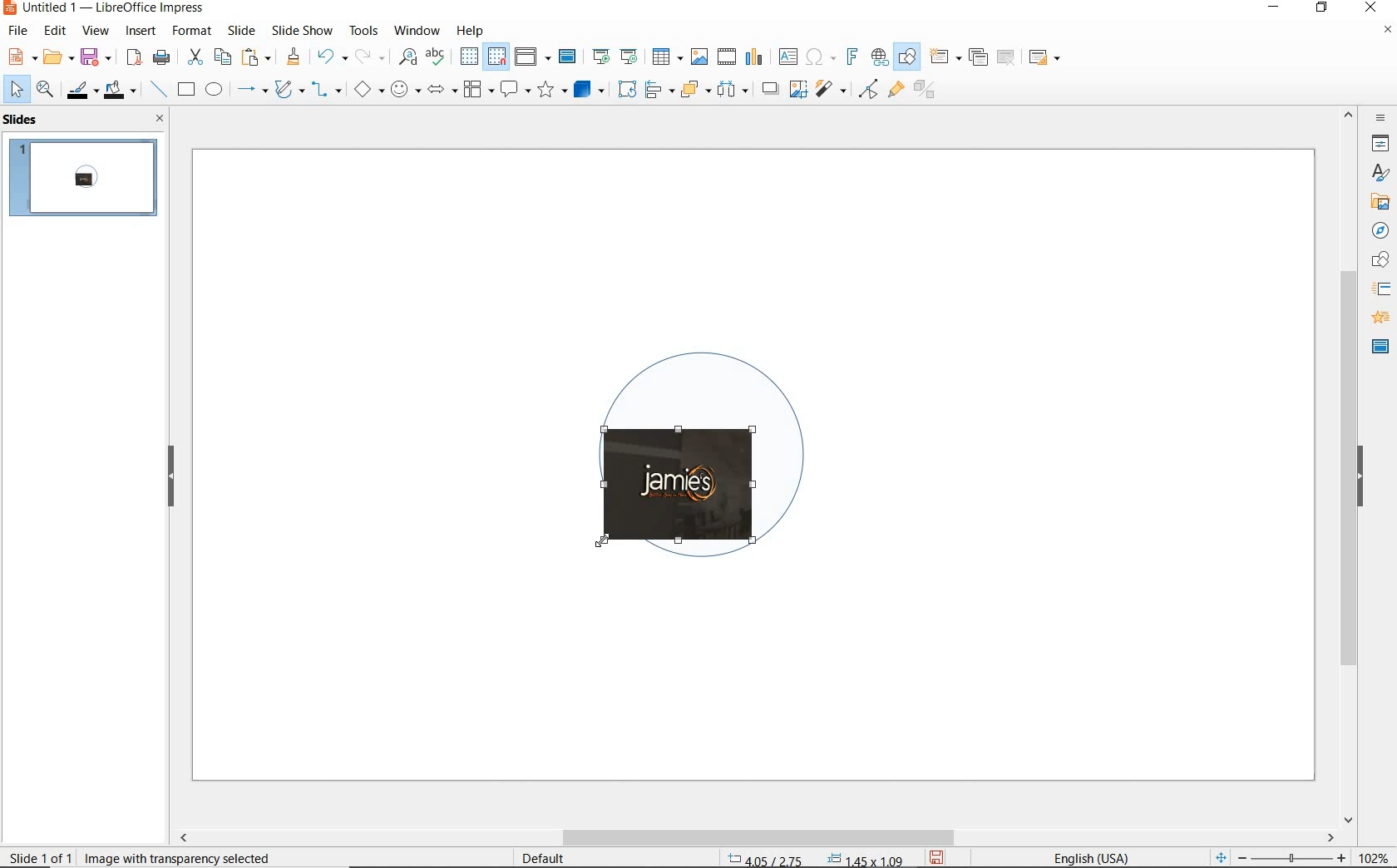 Image resolution: width=1397 pixels, height=868 pixels. What do you see at coordinates (368, 91) in the screenshot?
I see `basic shapes` at bounding box center [368, 91].